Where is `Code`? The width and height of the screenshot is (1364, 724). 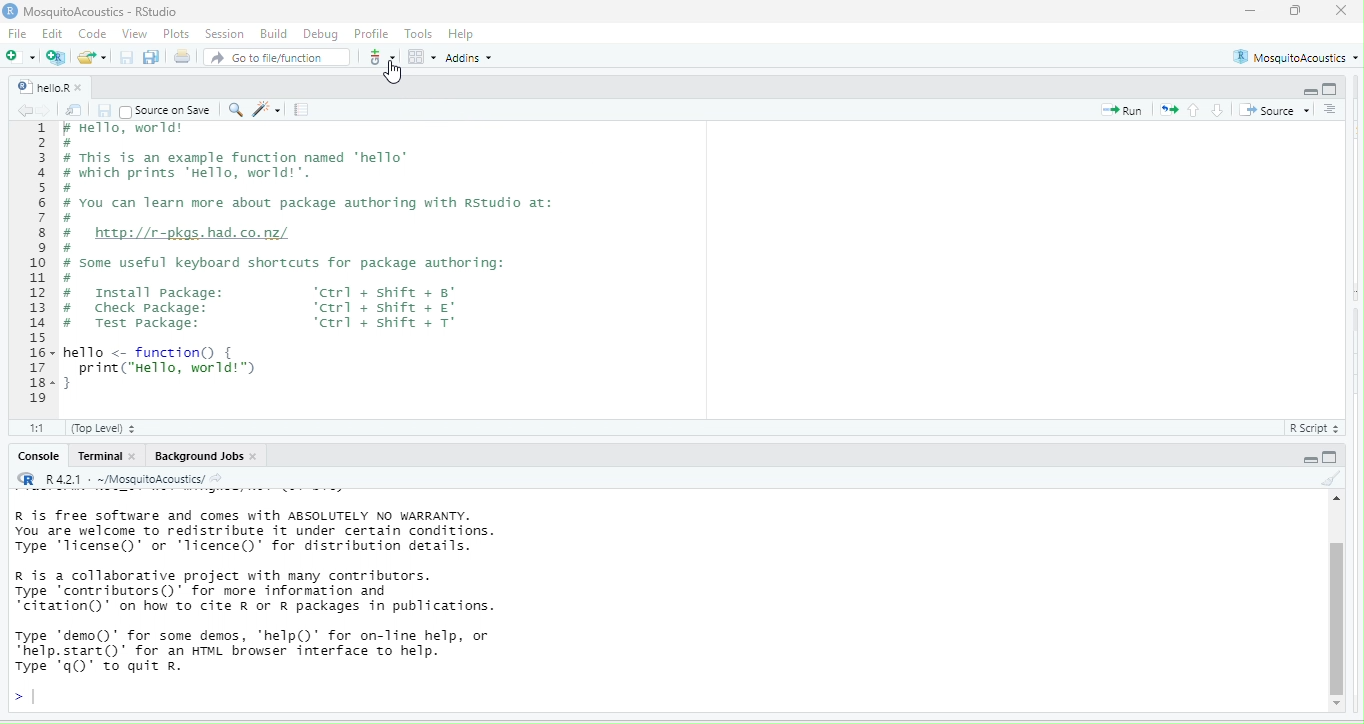 Code is located at coordinates (89, 35).